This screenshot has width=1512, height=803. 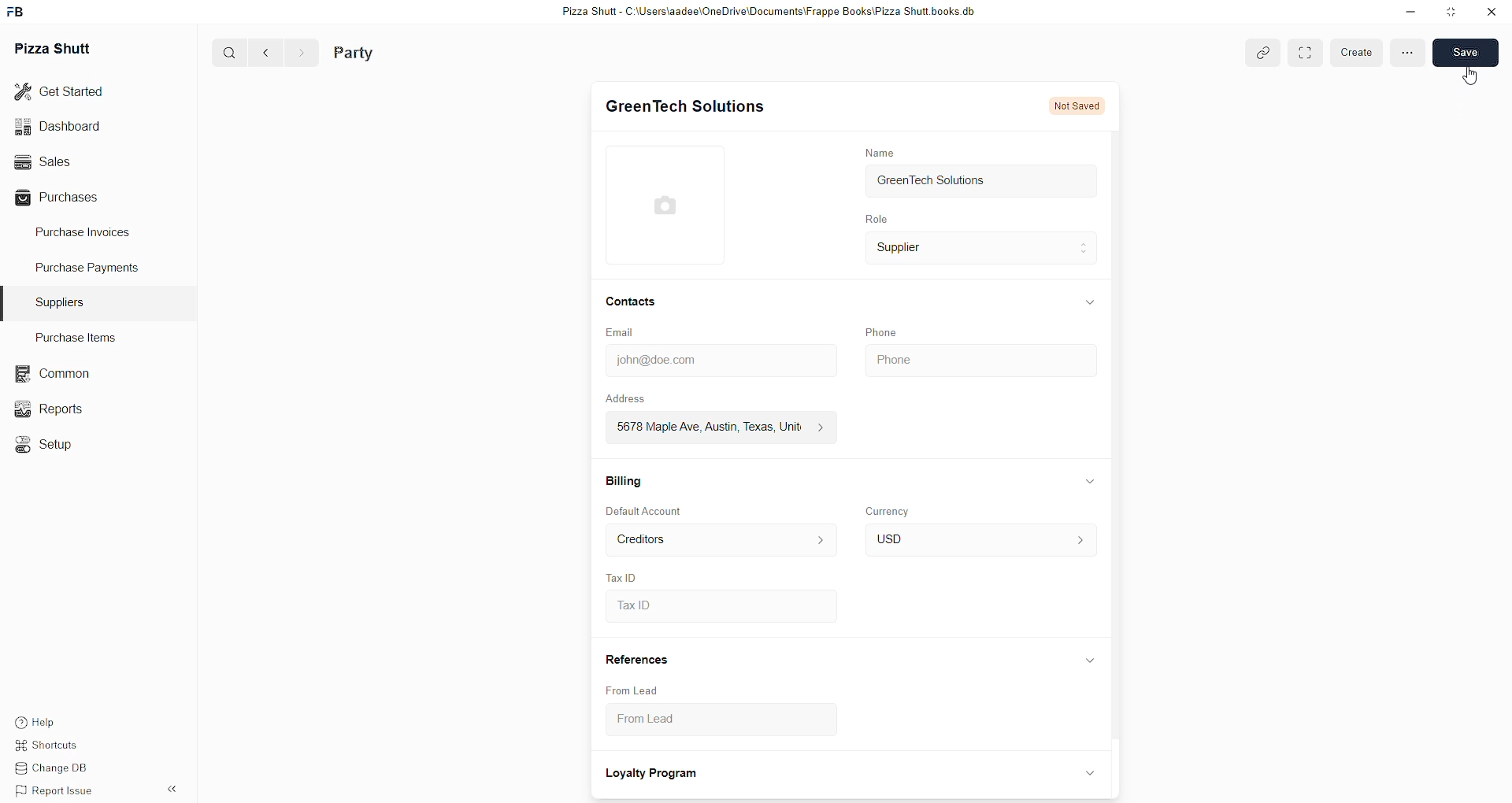 What do you see at coordinates (57, 770) in the screenshot?
I see ` Change DB` at bounding box center [57, 770].